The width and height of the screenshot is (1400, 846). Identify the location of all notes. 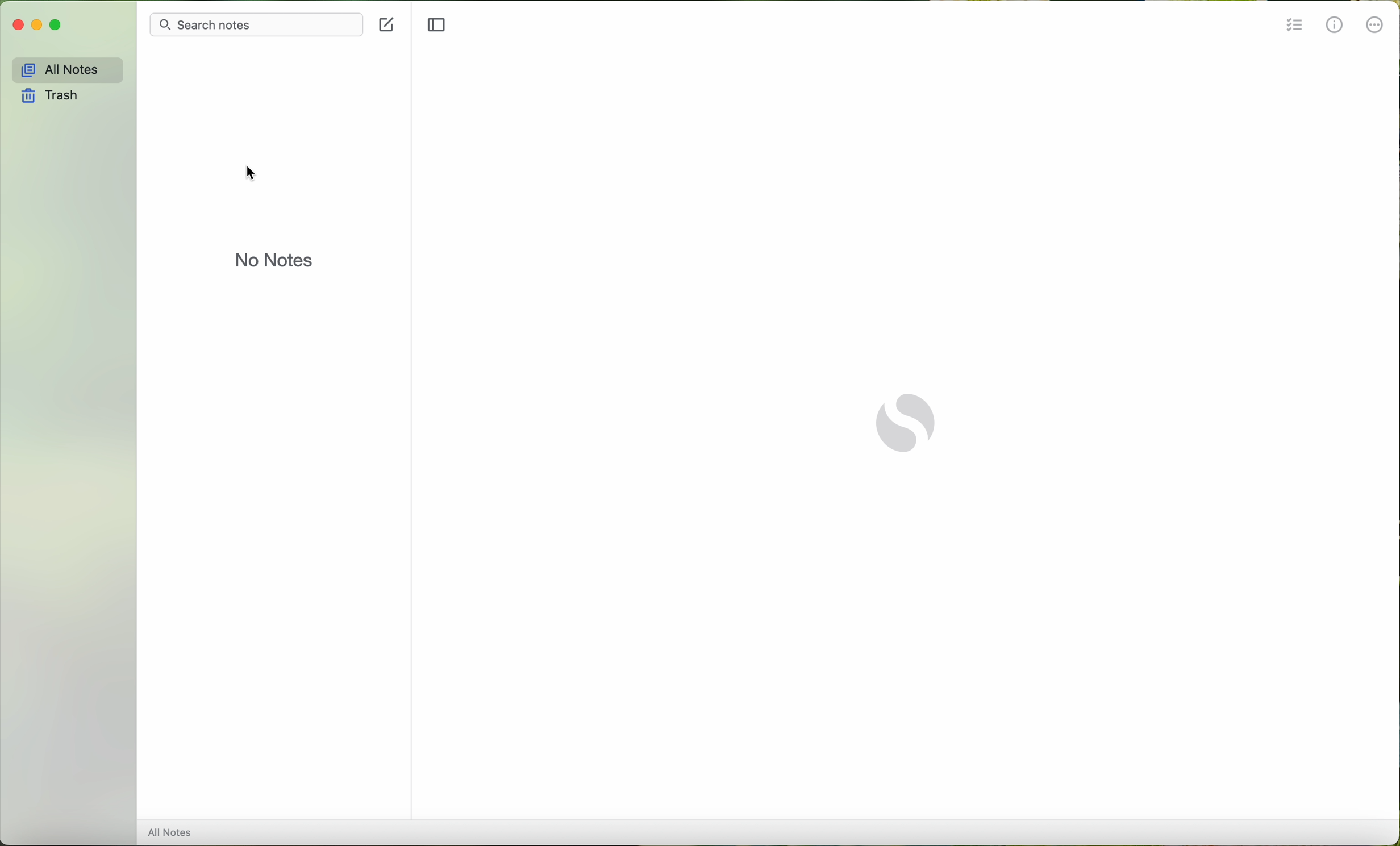
(174, 830).